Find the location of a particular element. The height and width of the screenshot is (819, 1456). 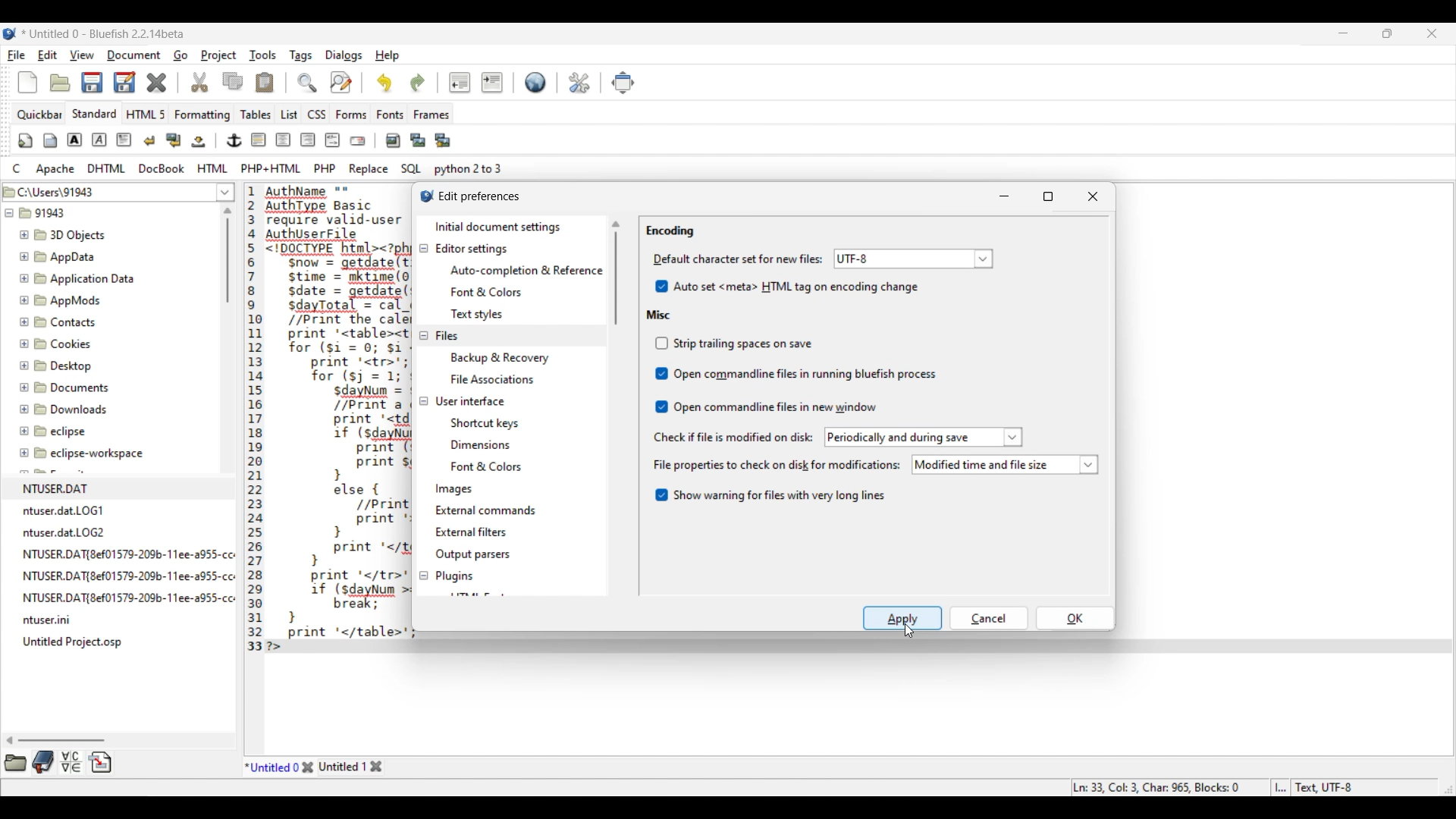

Image and text edit tools is located at coordinates (237, 140).